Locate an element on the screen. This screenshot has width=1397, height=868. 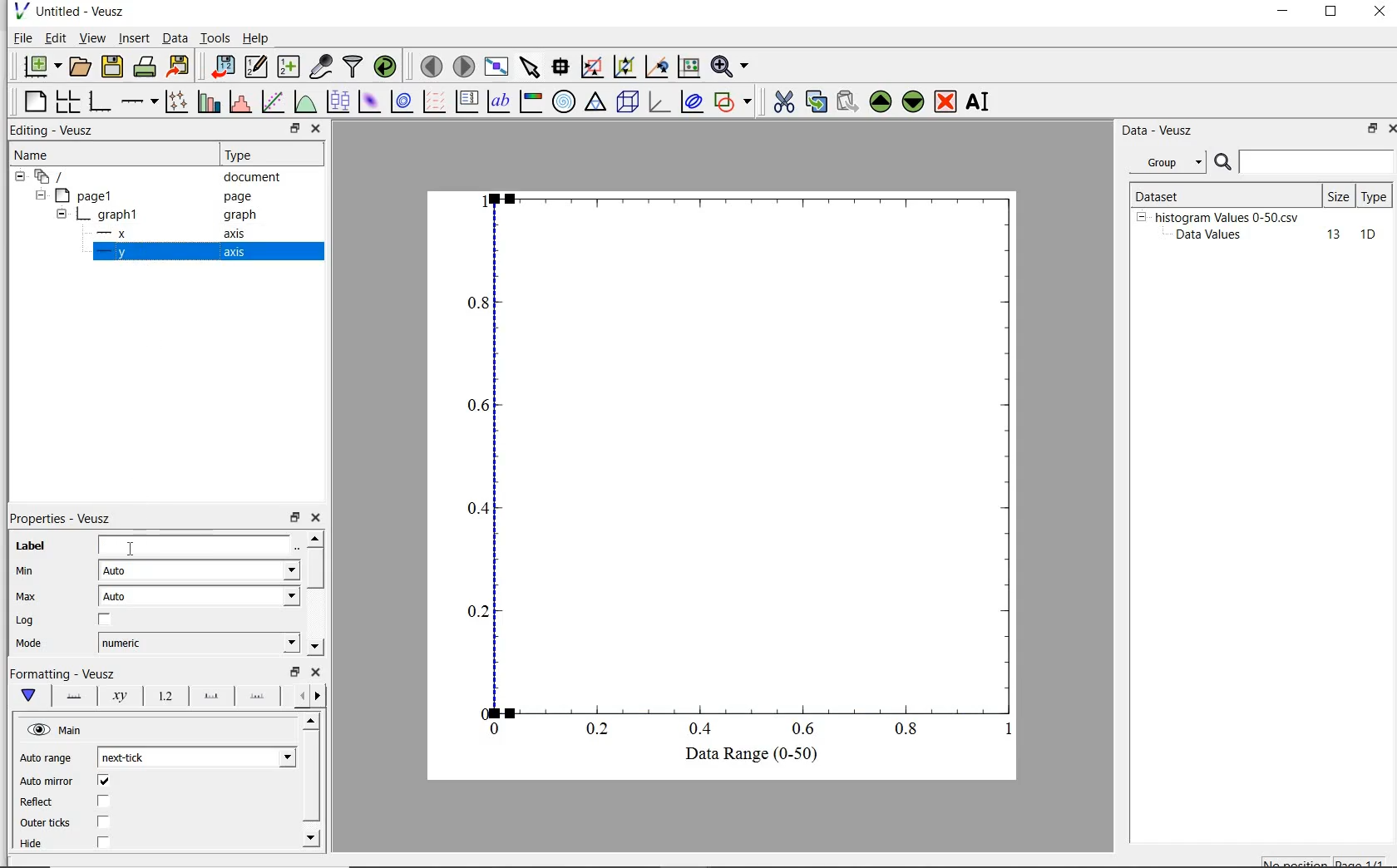
plot a function is located at coordinates (304, 101).